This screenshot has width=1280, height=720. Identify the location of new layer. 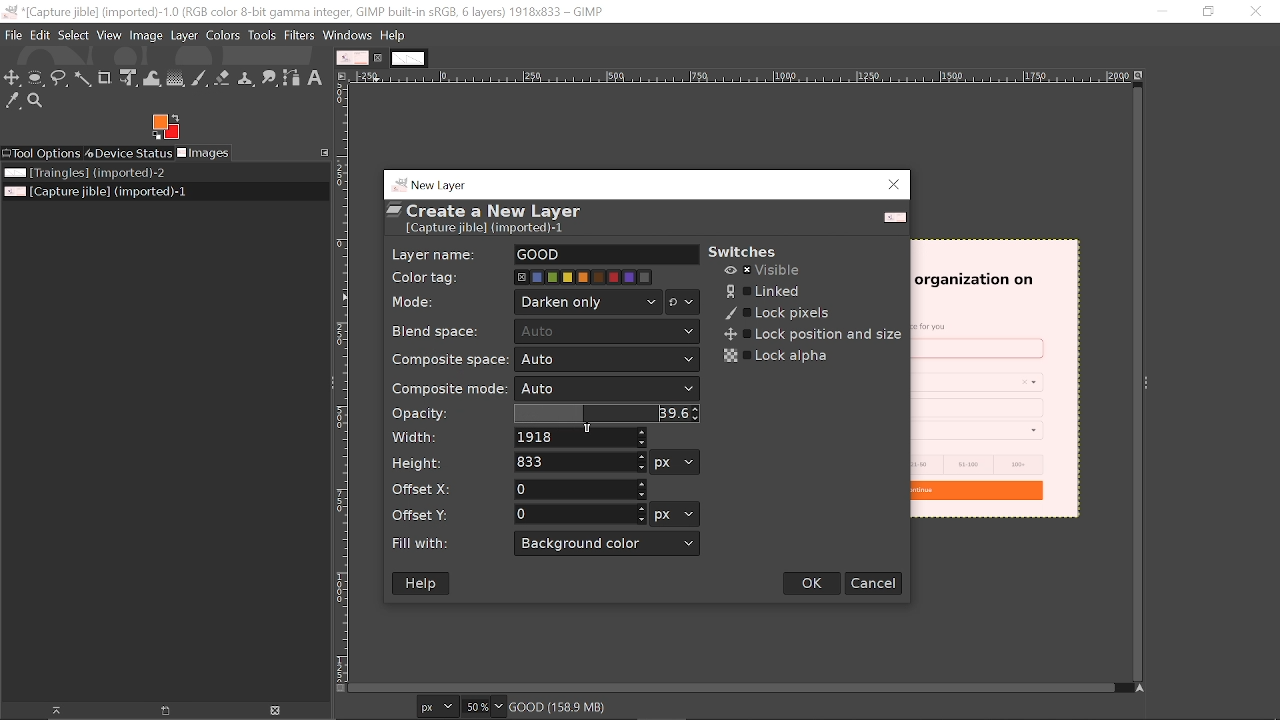
(432, 183).